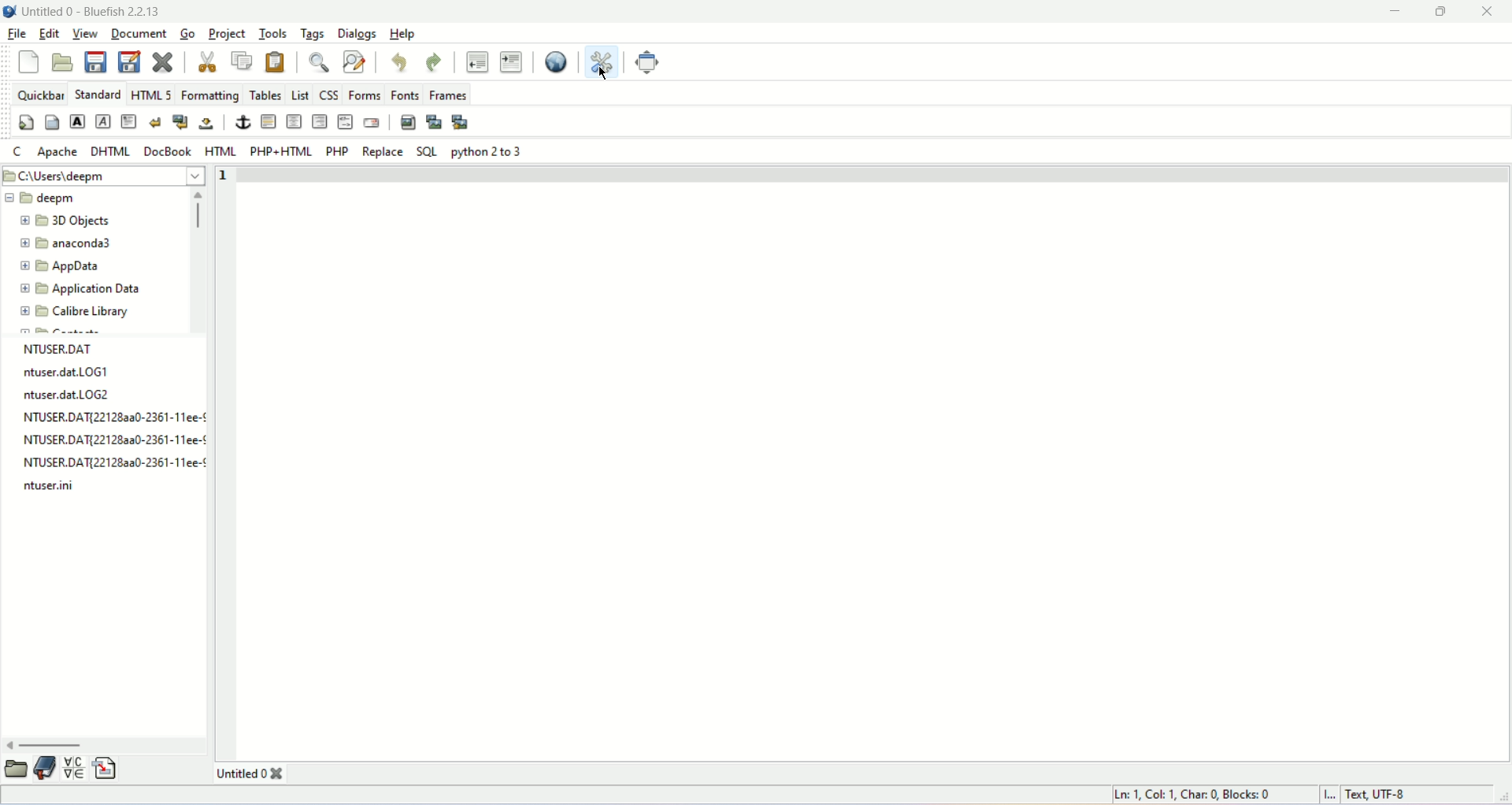 The width and height of the screenshot is (1512, 805). I want to click on save as, so click(129, 62).